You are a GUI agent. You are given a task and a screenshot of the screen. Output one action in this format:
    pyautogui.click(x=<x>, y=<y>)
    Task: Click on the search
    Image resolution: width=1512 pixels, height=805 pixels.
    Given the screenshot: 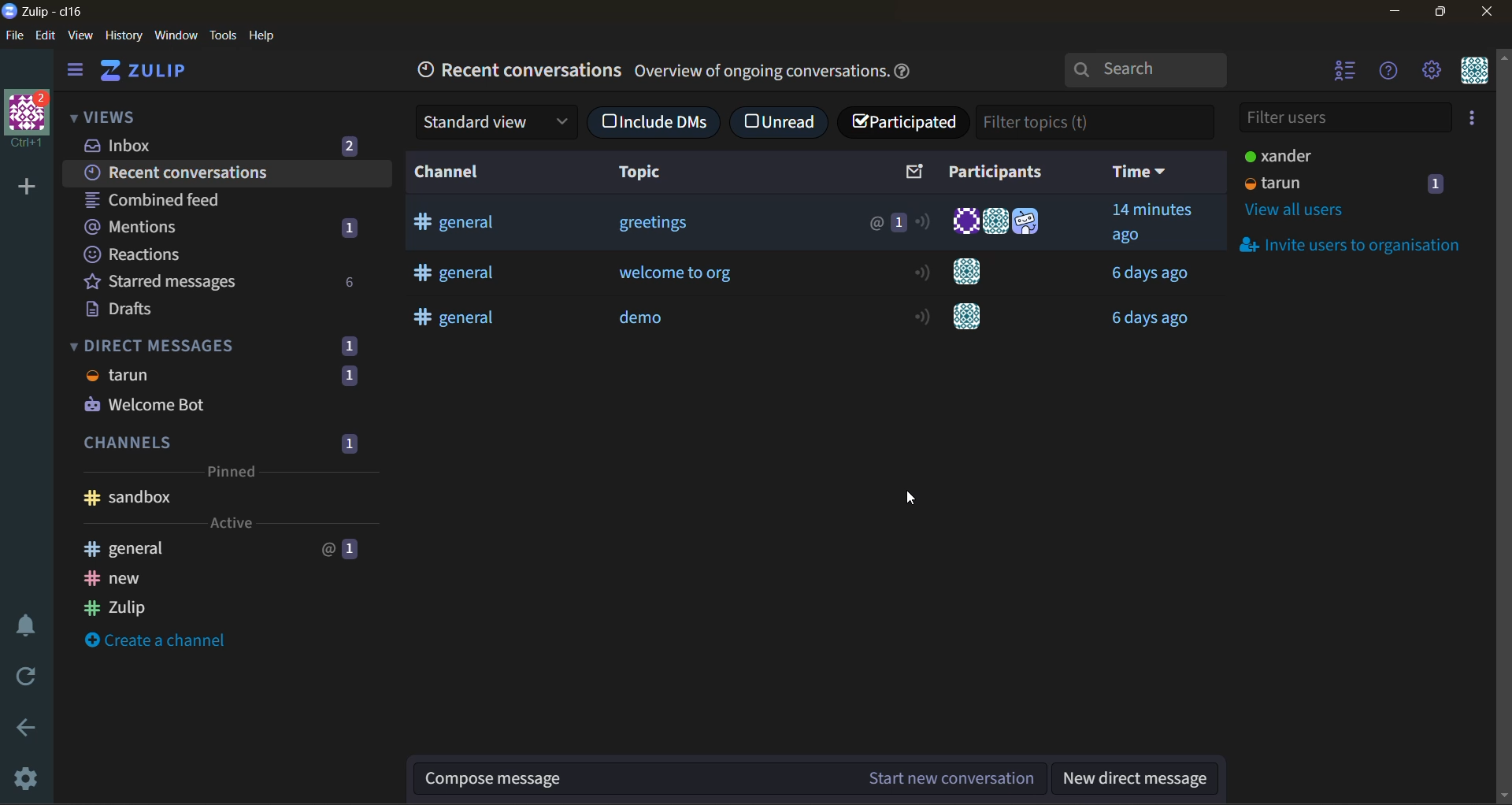 What is the action you would take?
    pyautogui.click(x=1148, y=66)
    